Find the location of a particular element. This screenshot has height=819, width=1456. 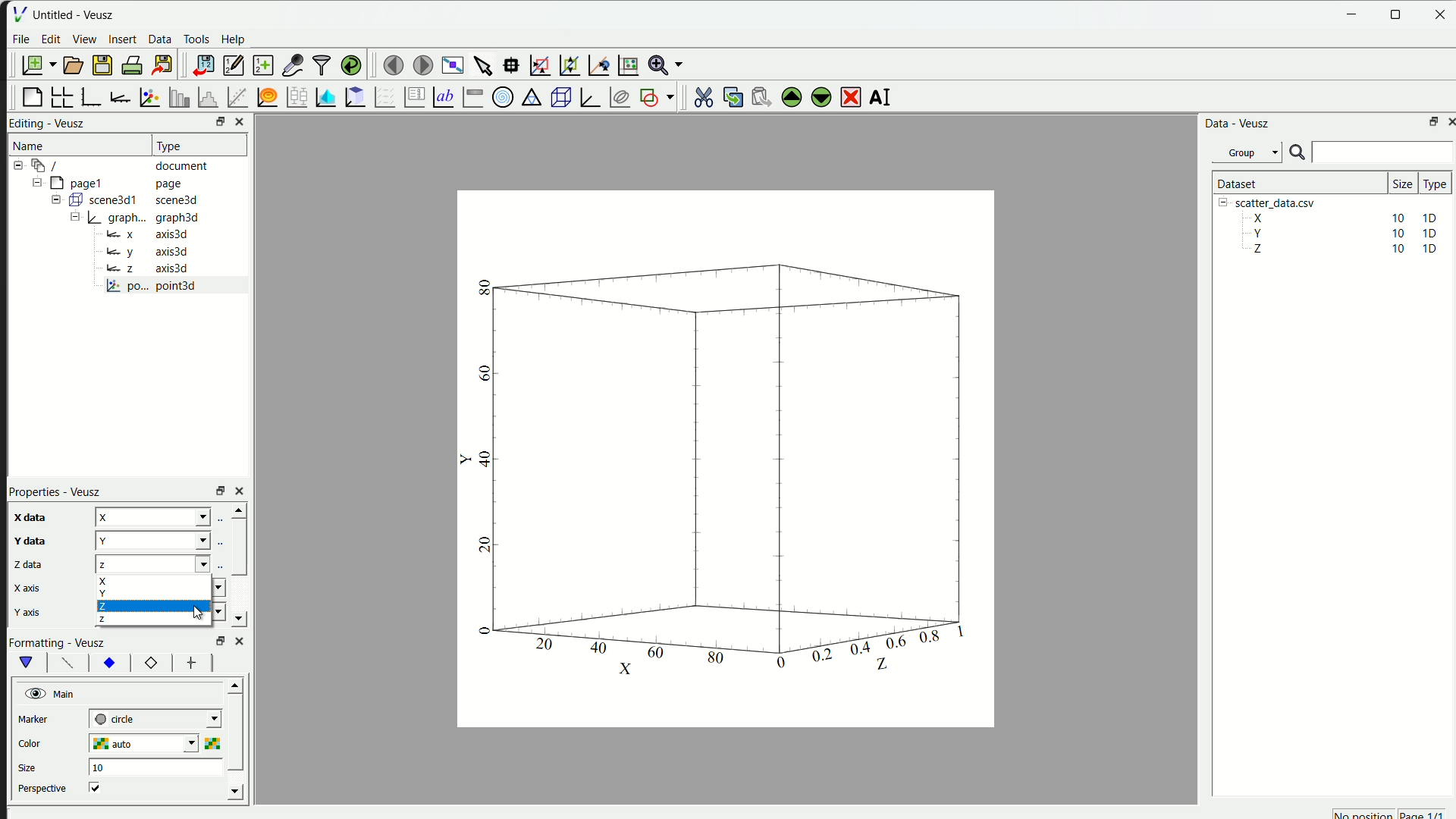

base graph is located at coordinates (91, 96).